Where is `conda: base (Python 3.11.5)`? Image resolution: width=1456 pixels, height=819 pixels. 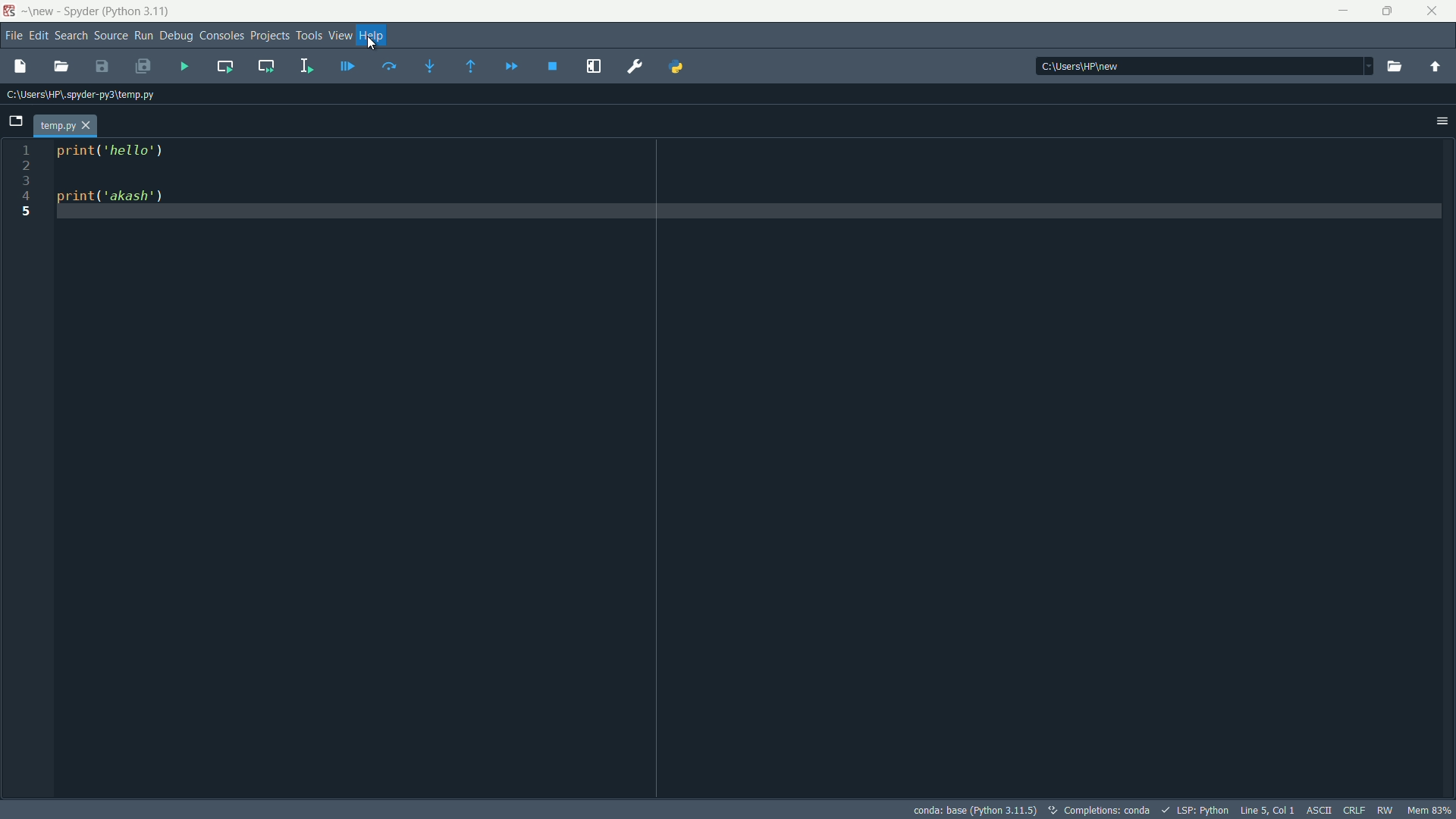
conda: base (Python 3.11.5) is located at coordinates (973, 810).